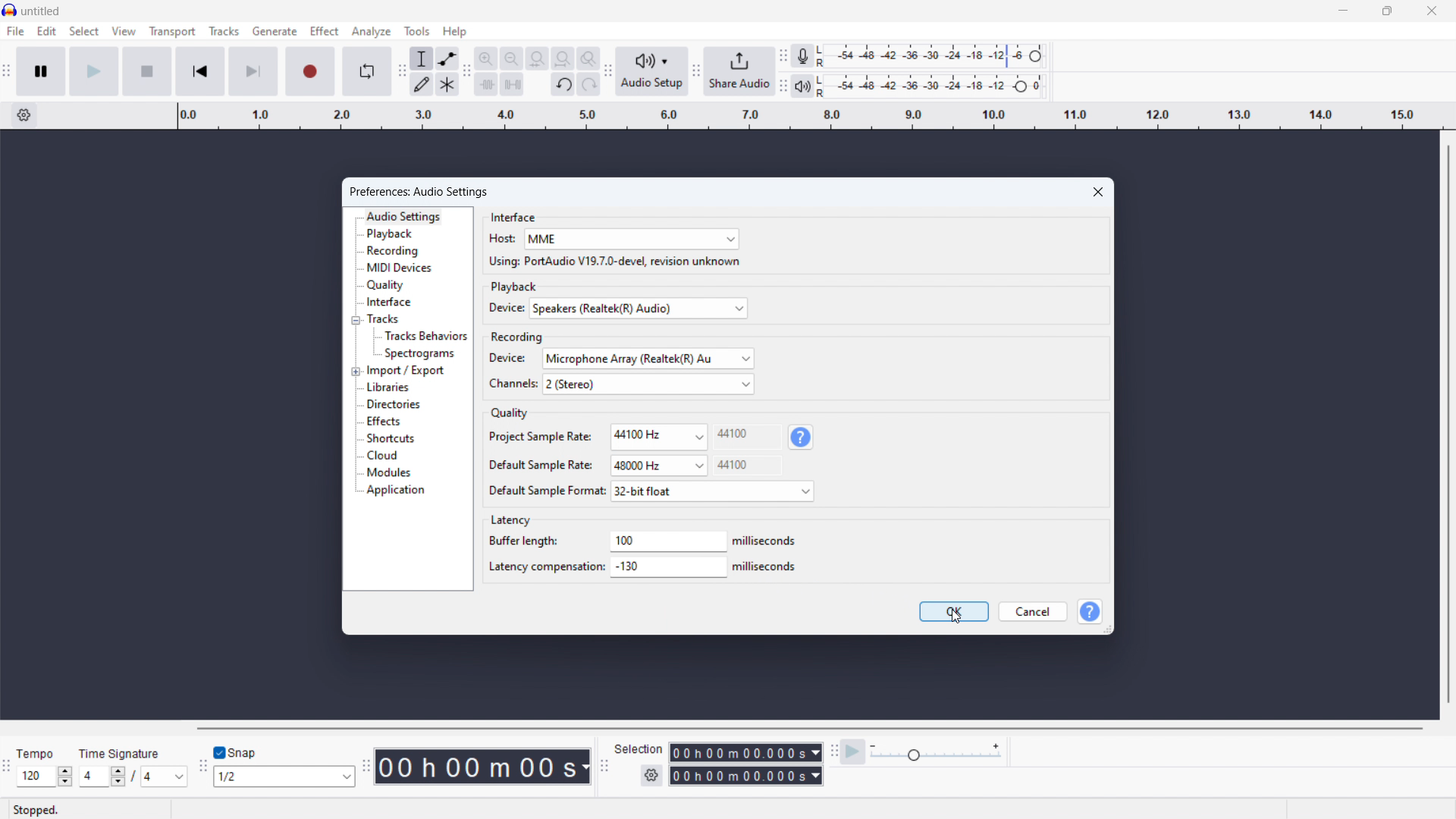 The width and height of the screenshot is (1456, 819). What do you see at coordinates (487, 85) in the screenshot?
I see `trim audio outside selection` at bounding box center [487, 85].